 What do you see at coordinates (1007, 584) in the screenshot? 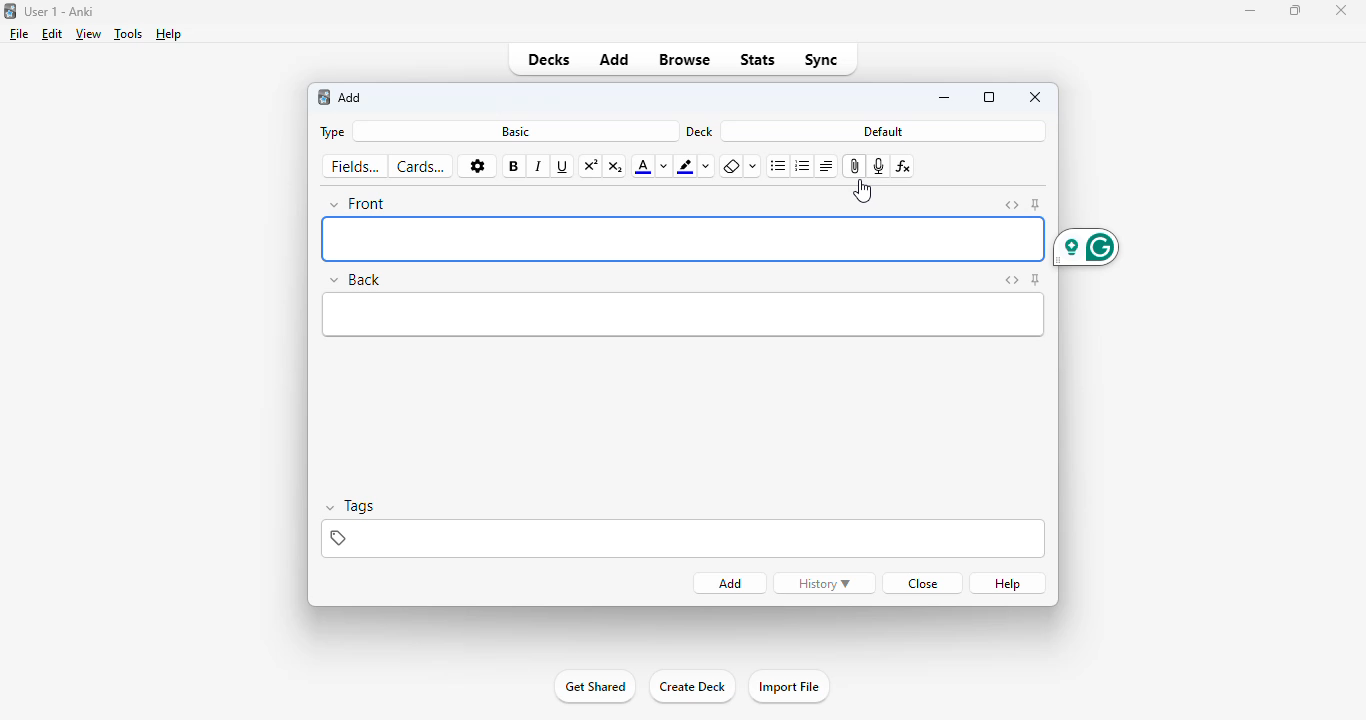
I see `help` at bounding box center [1007, 584].